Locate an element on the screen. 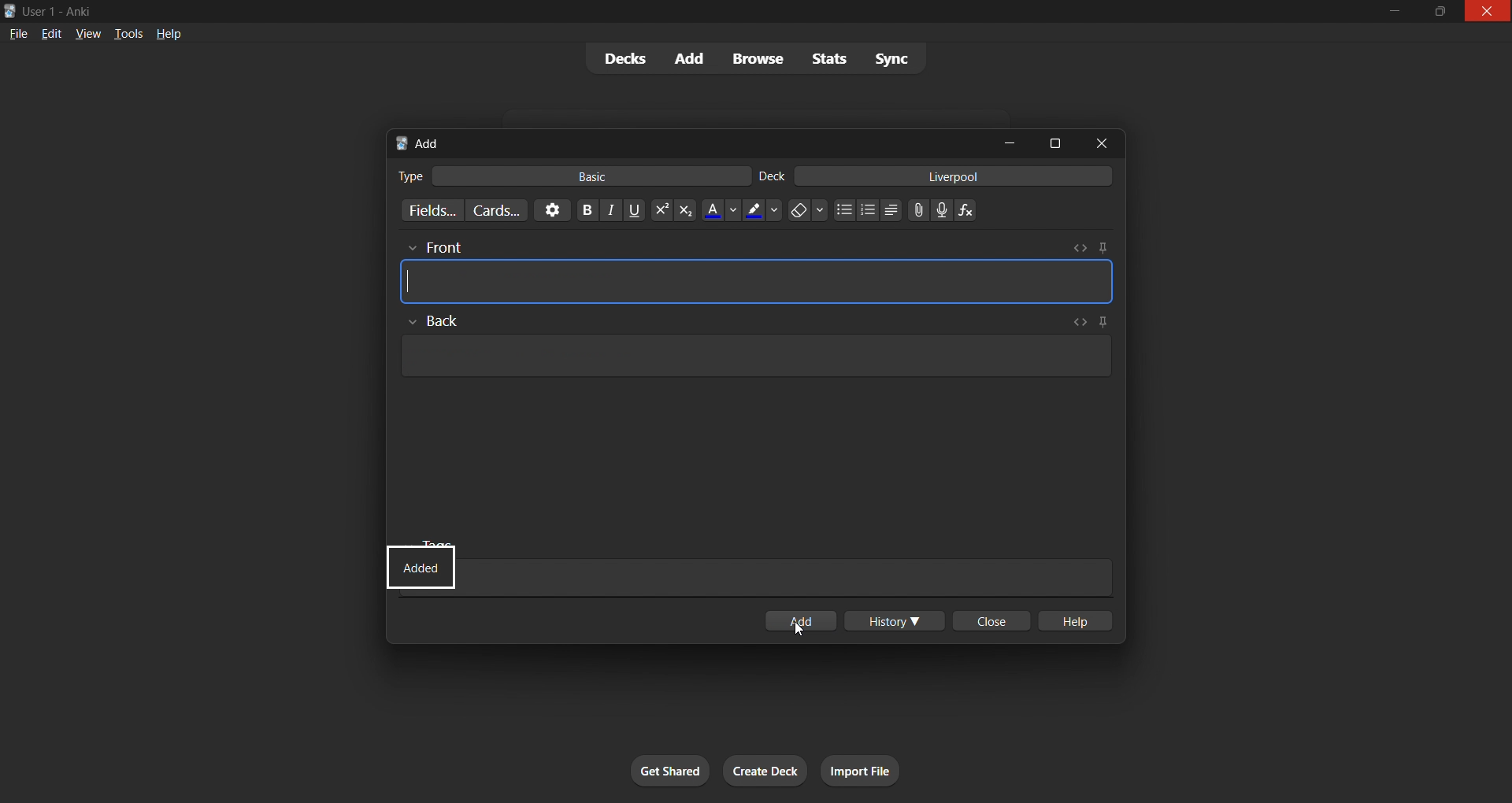  superscript is located at coordinates (658, 209).